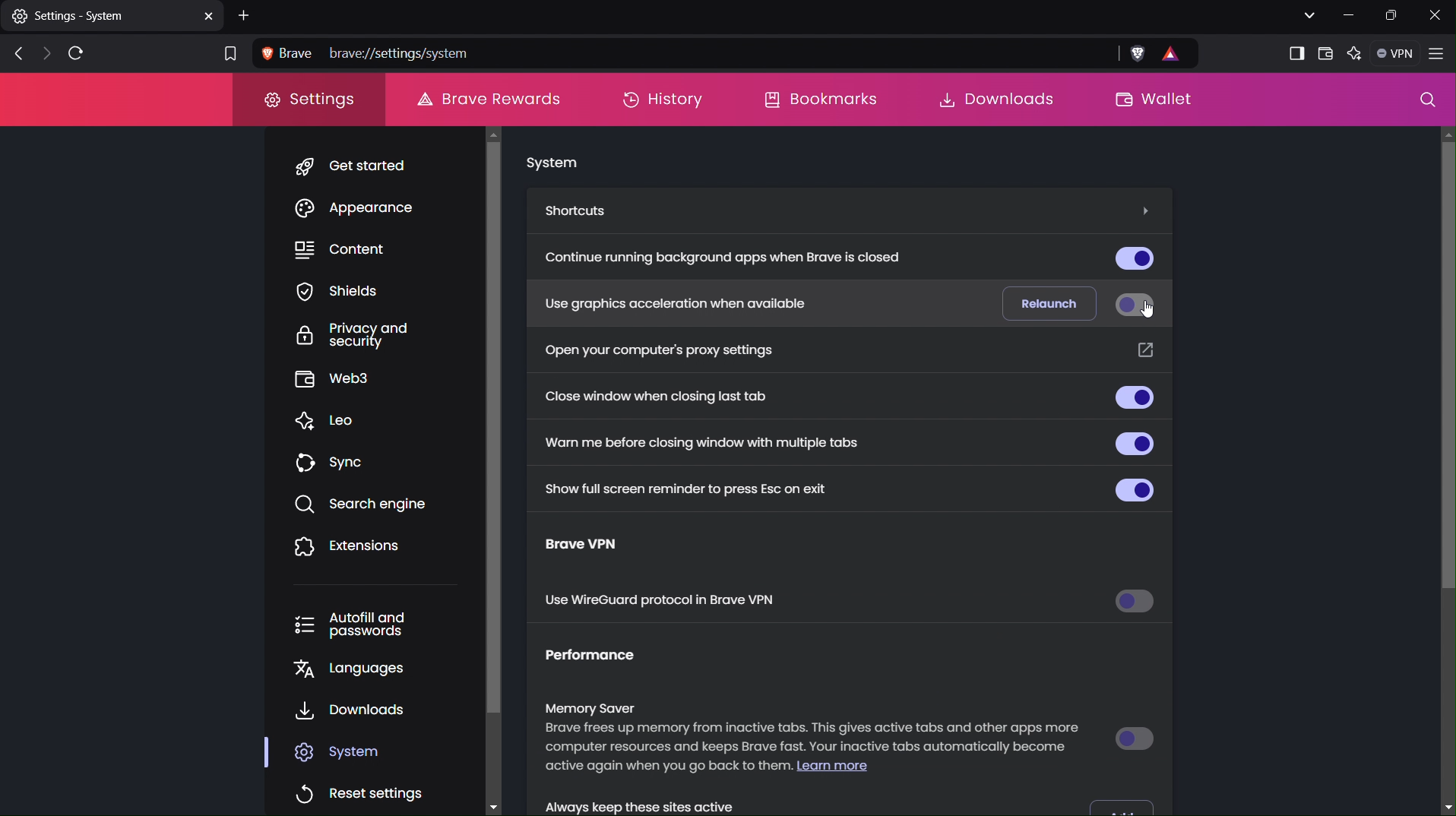 The width and height of the screenshot is (1456, 816). What do you see at coordinates (45, 54) in the screenshot?
I see `Next tab` at bounding box center [45, 54].